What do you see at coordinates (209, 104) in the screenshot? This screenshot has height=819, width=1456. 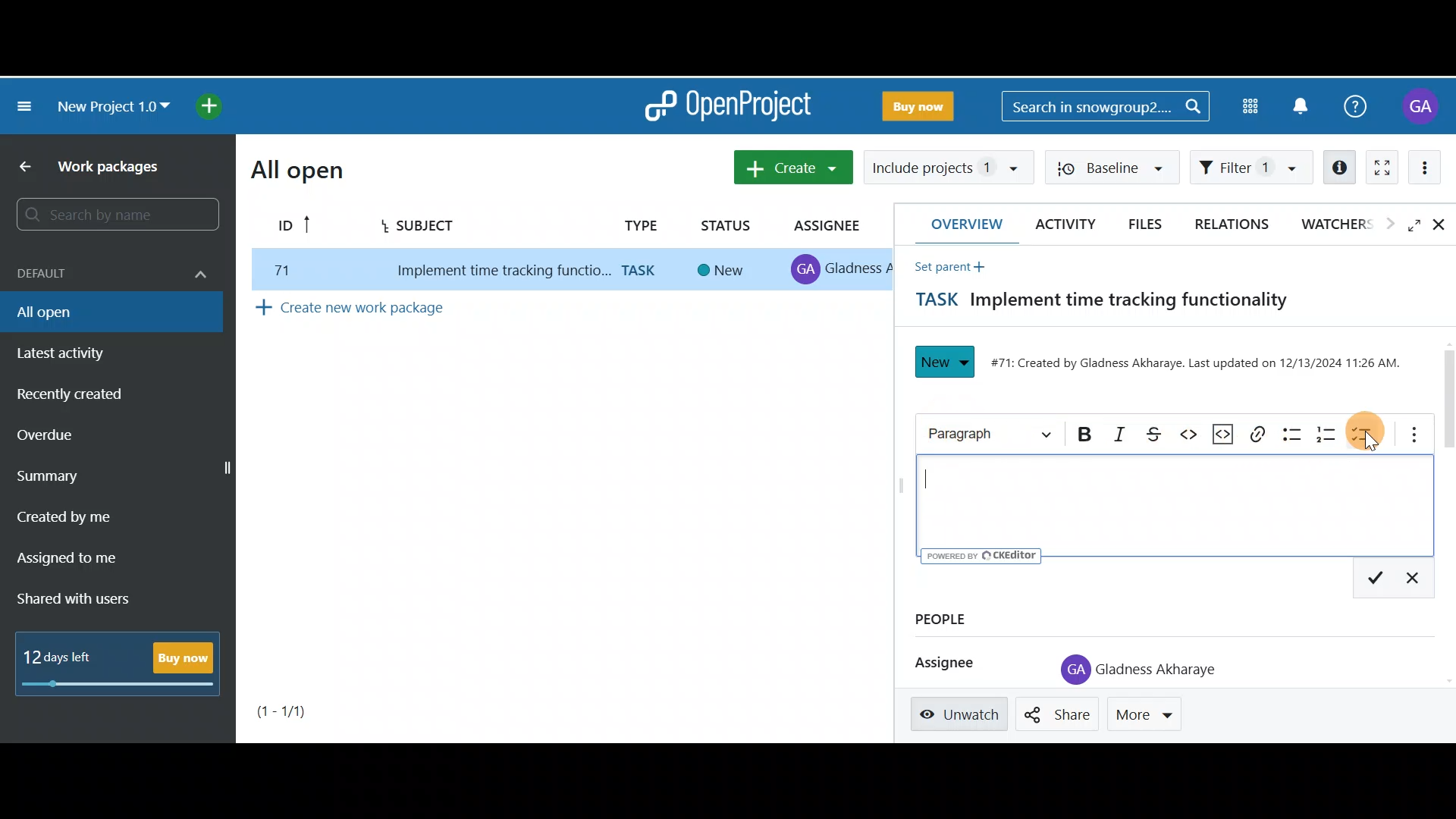 I see `Open quick add menu` at bounding box center [209, 104].